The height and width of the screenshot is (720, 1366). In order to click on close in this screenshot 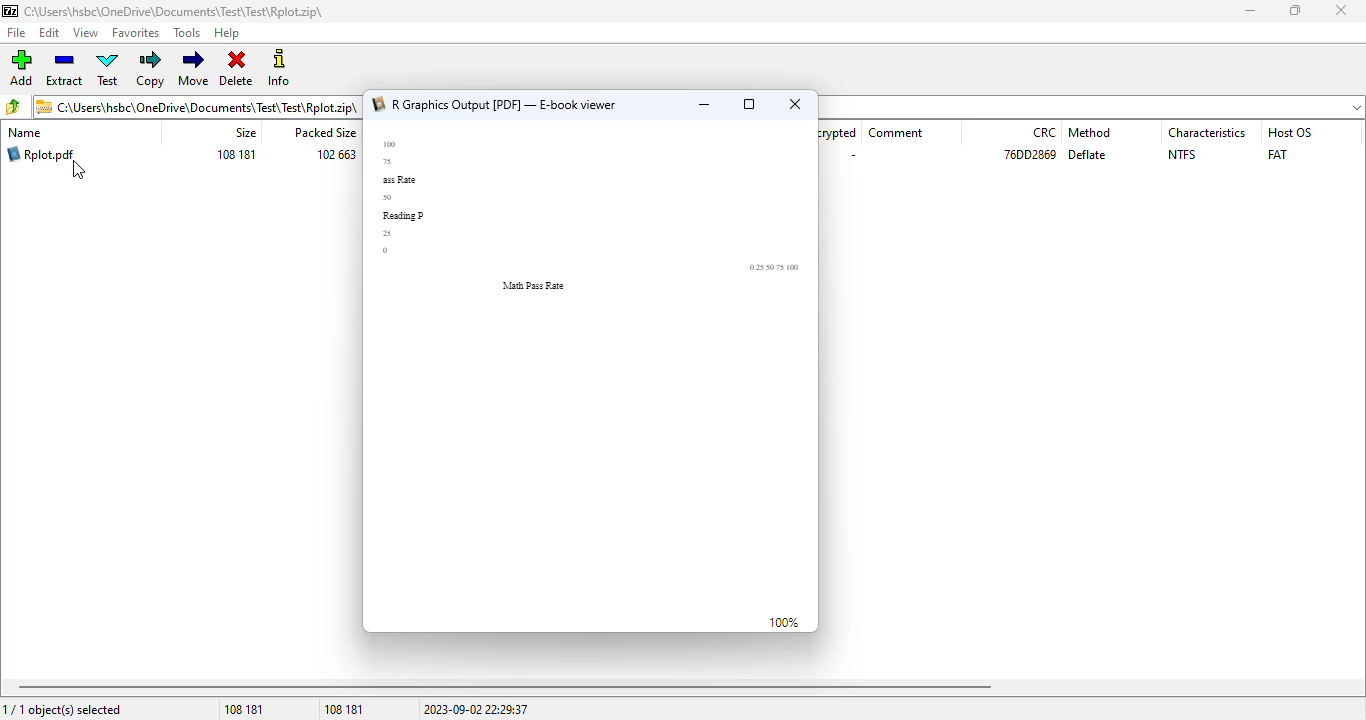, I will do `click(796, 103)`.